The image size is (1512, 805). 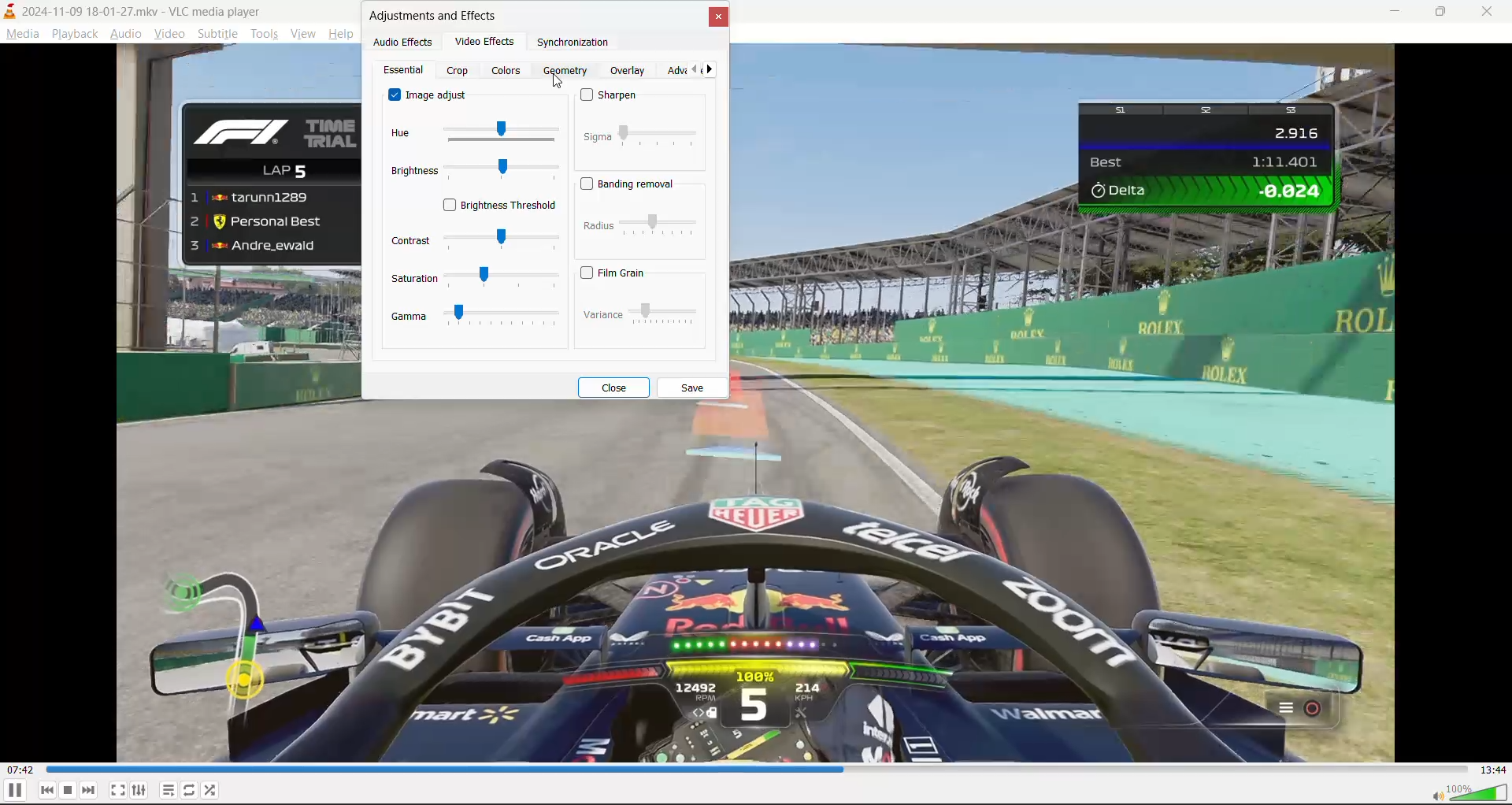 What do you see at coordinates (502, 206) in the screenshot?
I see `brightness threshold` at bounding box center [502, 206].